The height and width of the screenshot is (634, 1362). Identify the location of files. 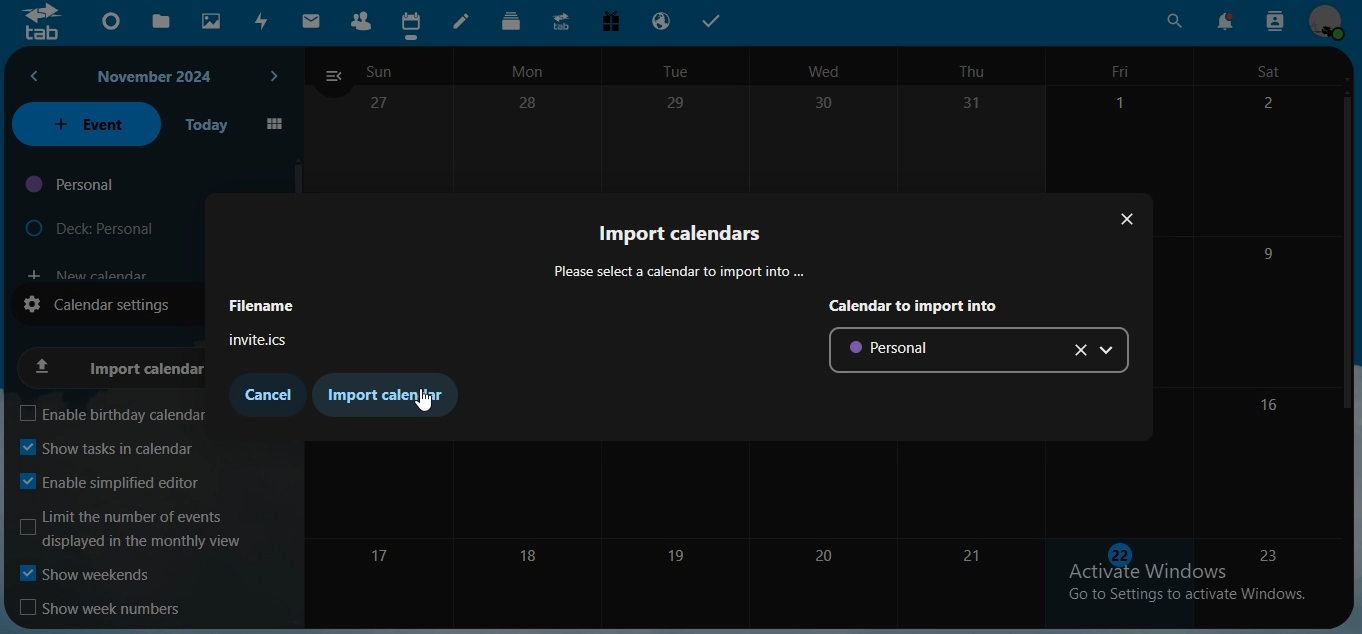
(166, 22).